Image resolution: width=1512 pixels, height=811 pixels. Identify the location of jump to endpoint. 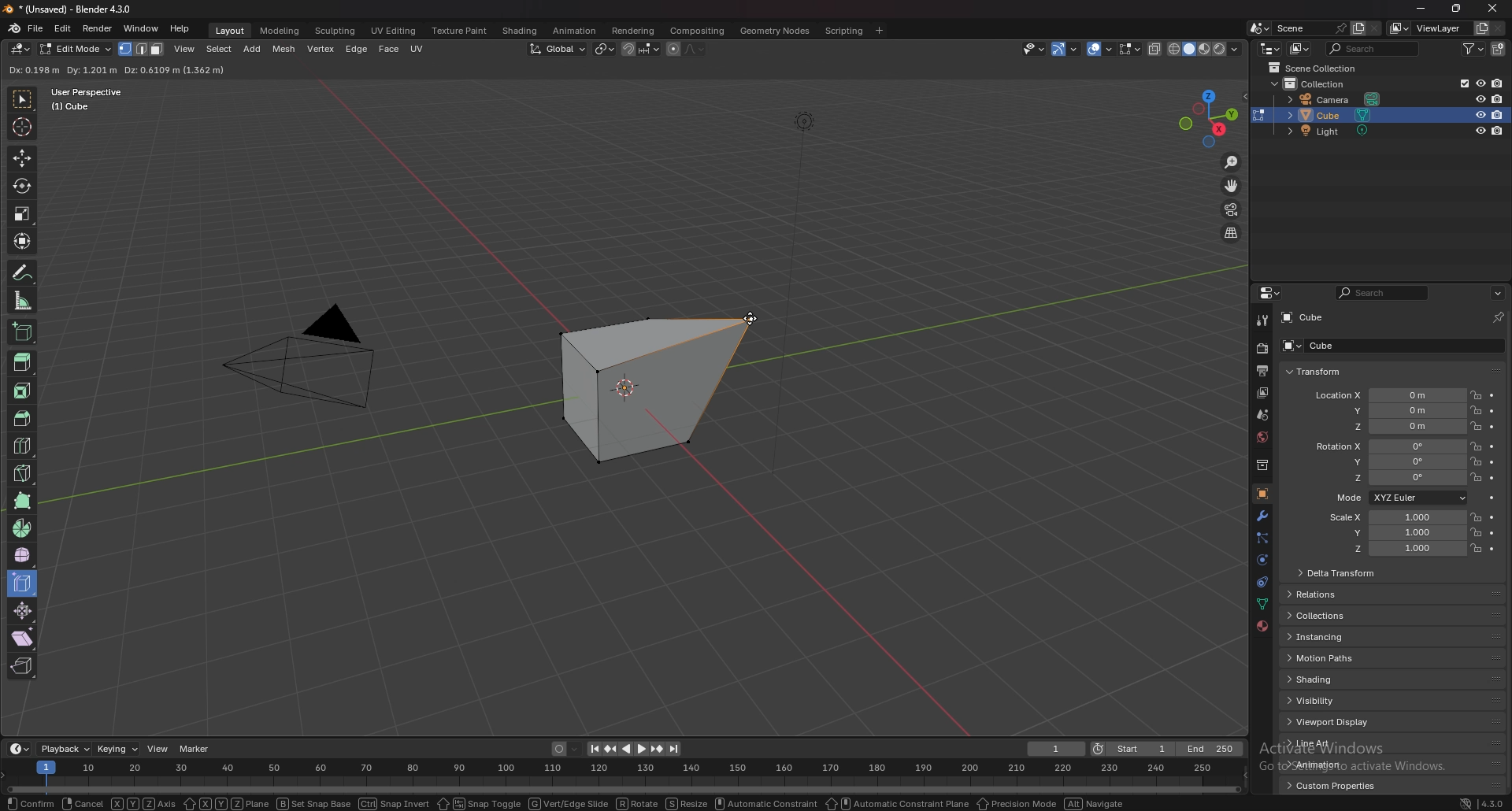
(592, 749).